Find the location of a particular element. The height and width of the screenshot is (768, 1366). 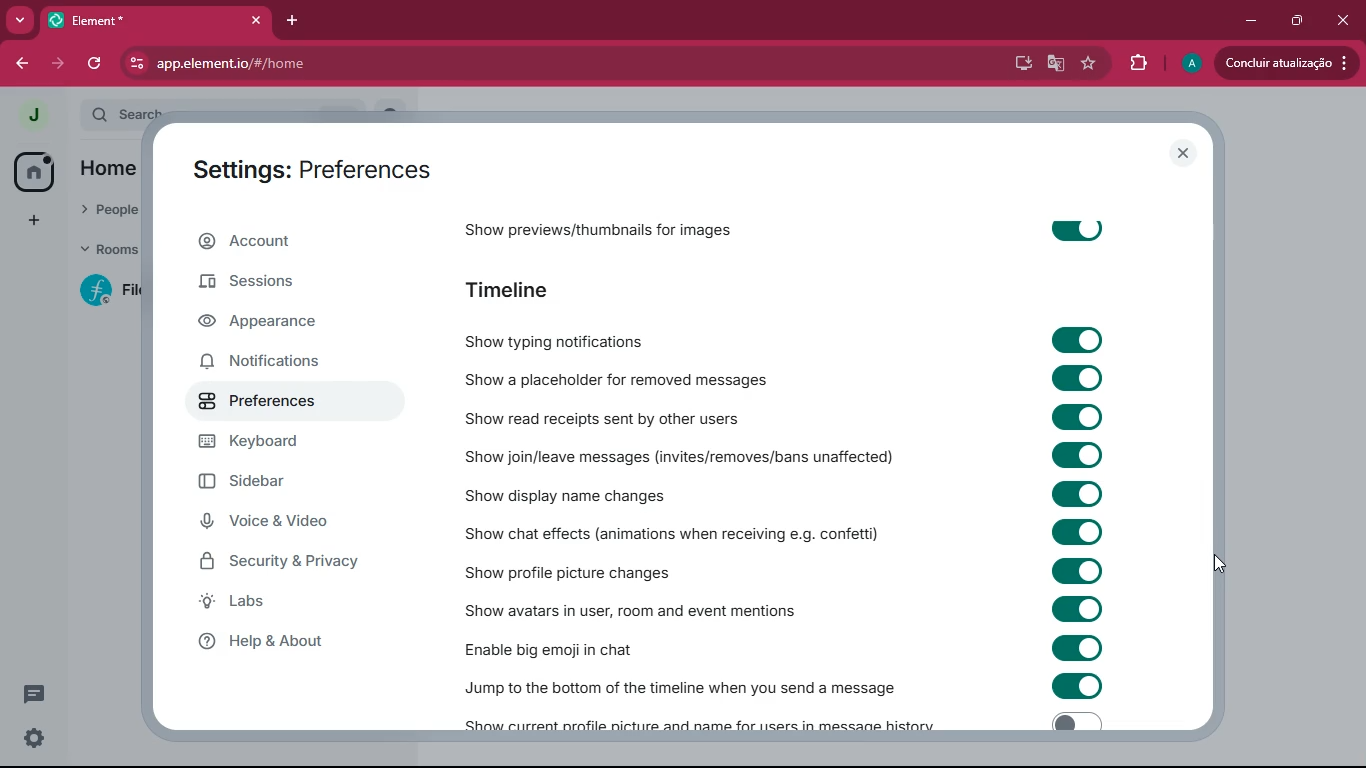

show current profile picture and name for users in message history is located at coordinates (705, 722).